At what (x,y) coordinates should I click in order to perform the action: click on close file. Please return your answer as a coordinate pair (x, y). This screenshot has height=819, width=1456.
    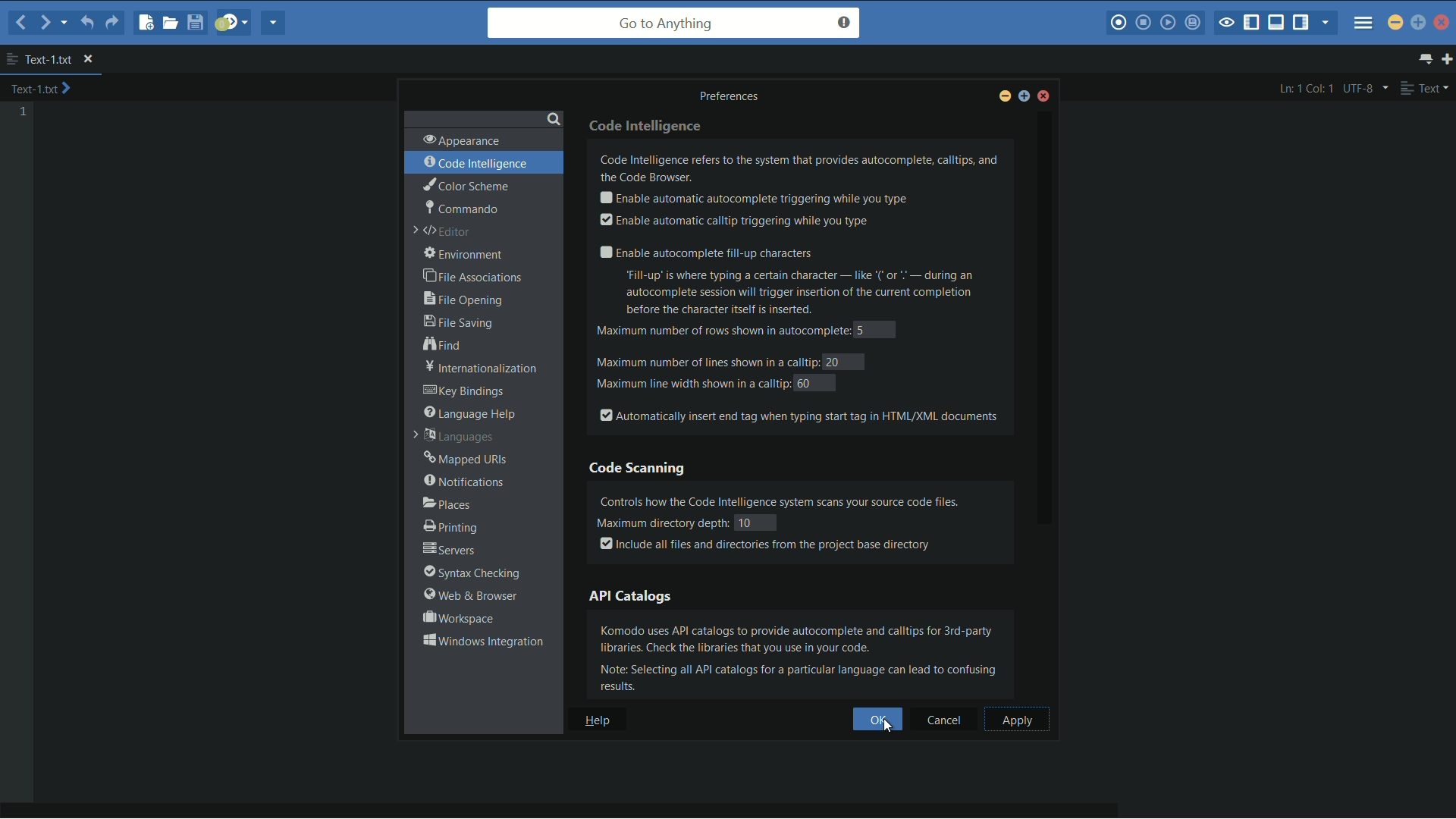
    Looking at the image, I should click on (88, 60).